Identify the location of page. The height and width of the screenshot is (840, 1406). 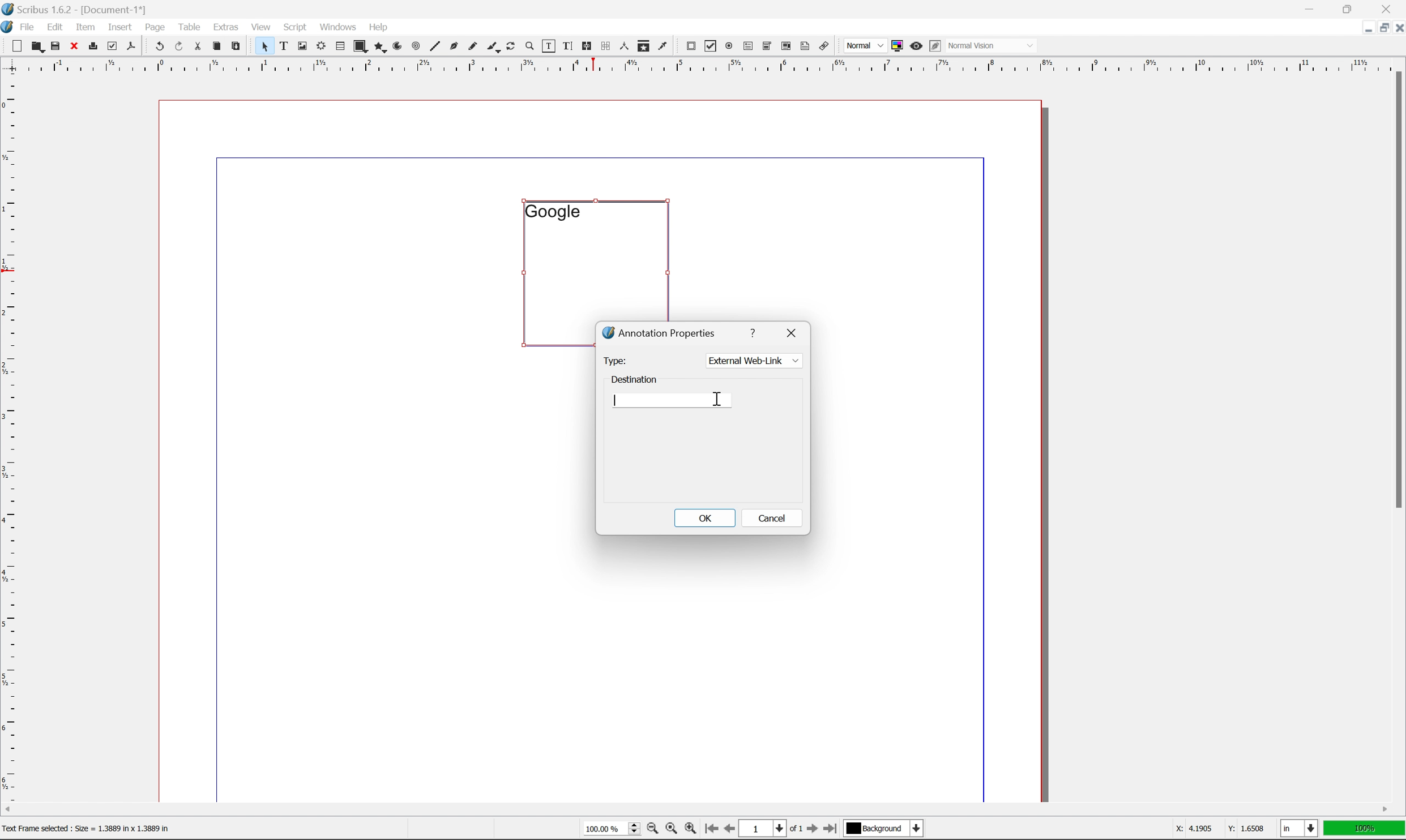
(155, 27).